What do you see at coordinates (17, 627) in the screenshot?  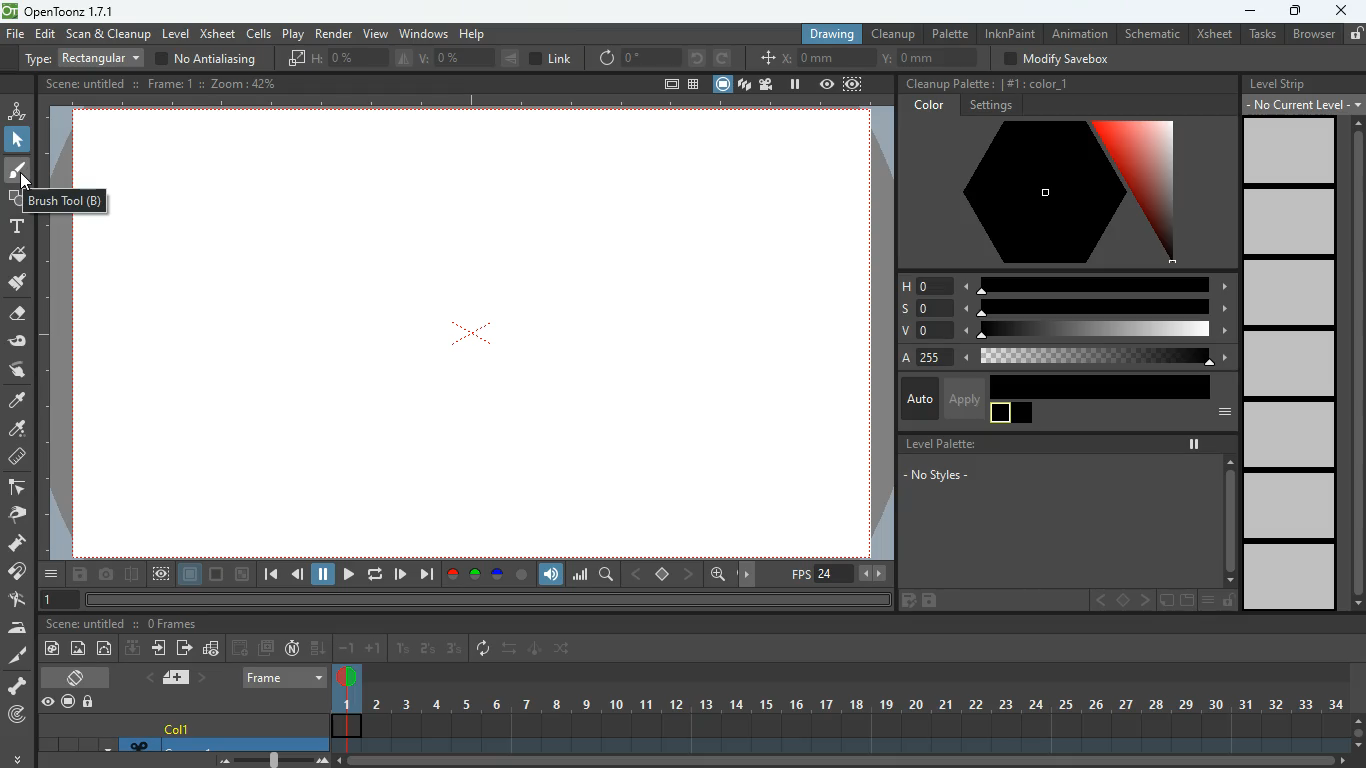 I see `iron` at bounding box center [17, 627].